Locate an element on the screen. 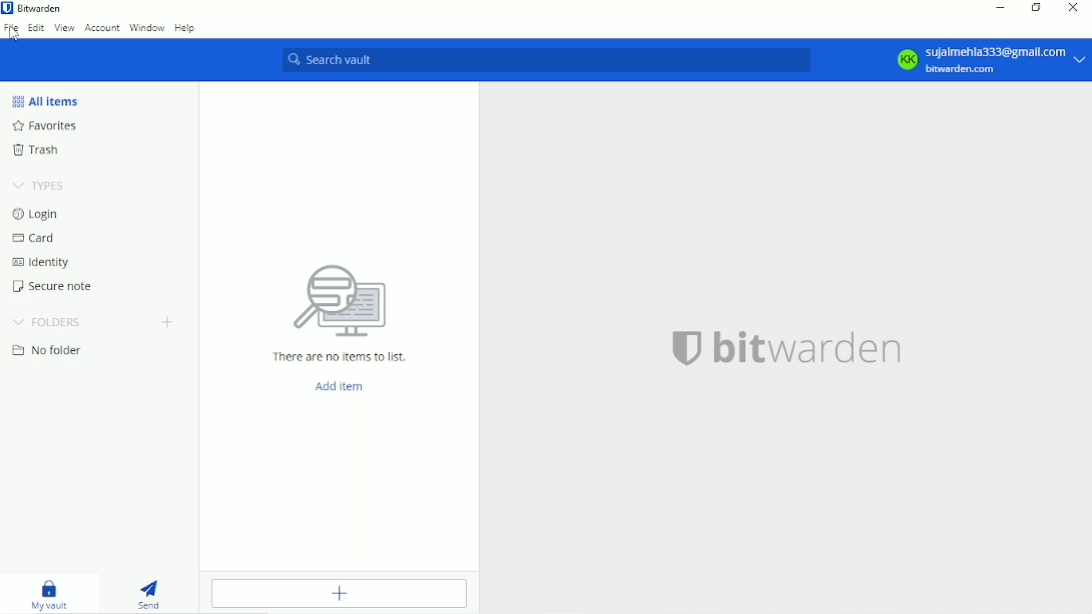 The image size is (1092, 614). No folder is located at coordinates (47, 352).